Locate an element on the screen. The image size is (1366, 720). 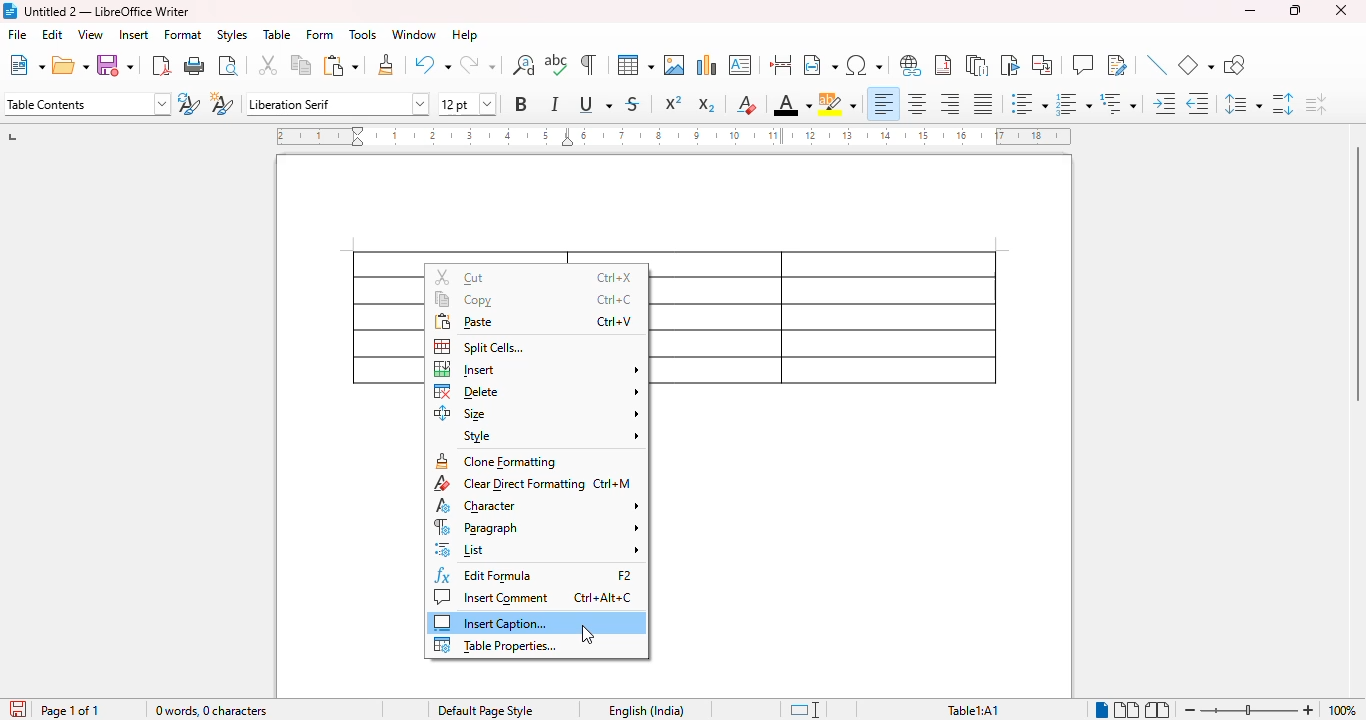
file is located at coordinates (17, 34).